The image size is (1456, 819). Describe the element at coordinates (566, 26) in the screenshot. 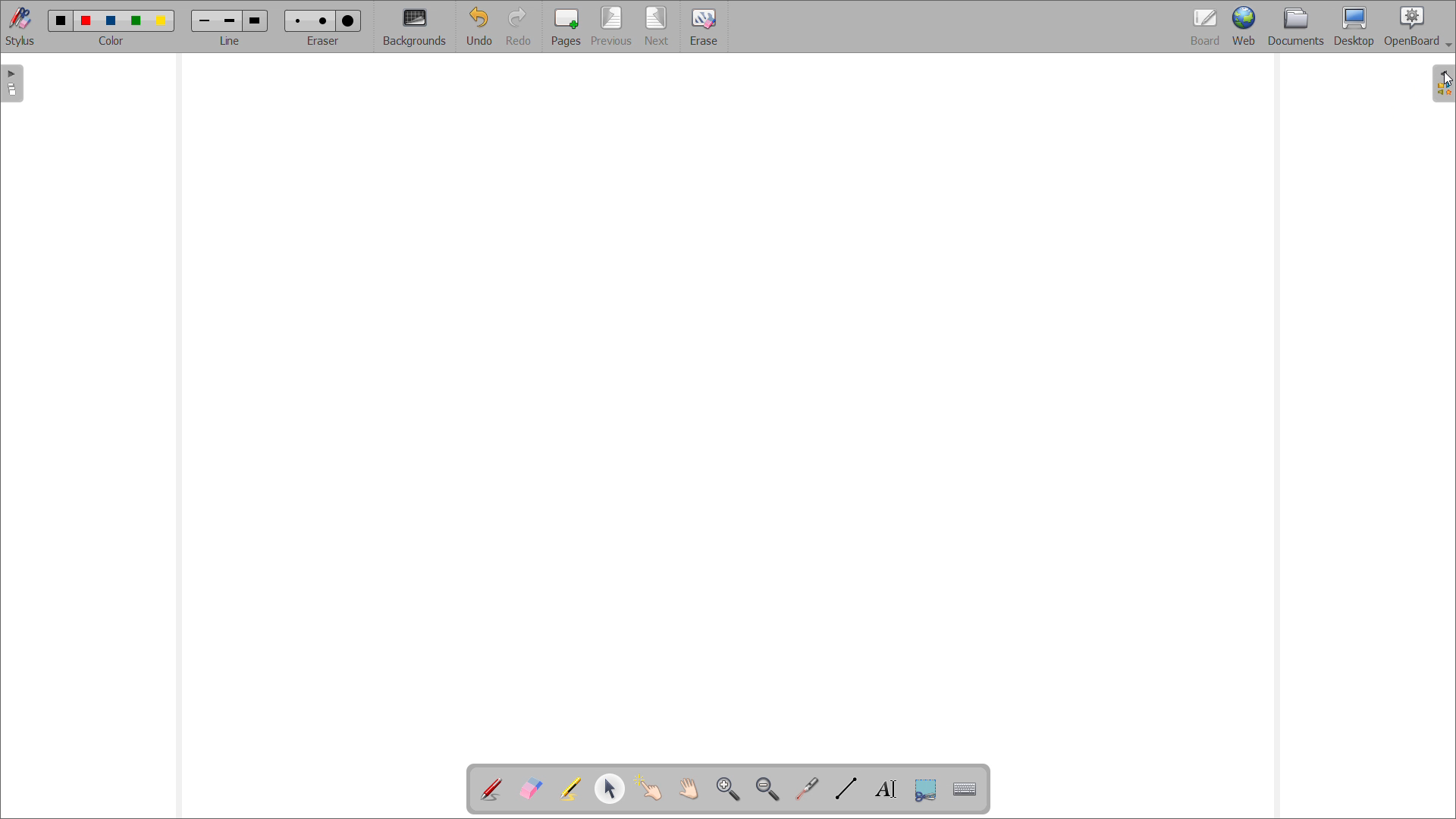

I see `add pages` at that location.